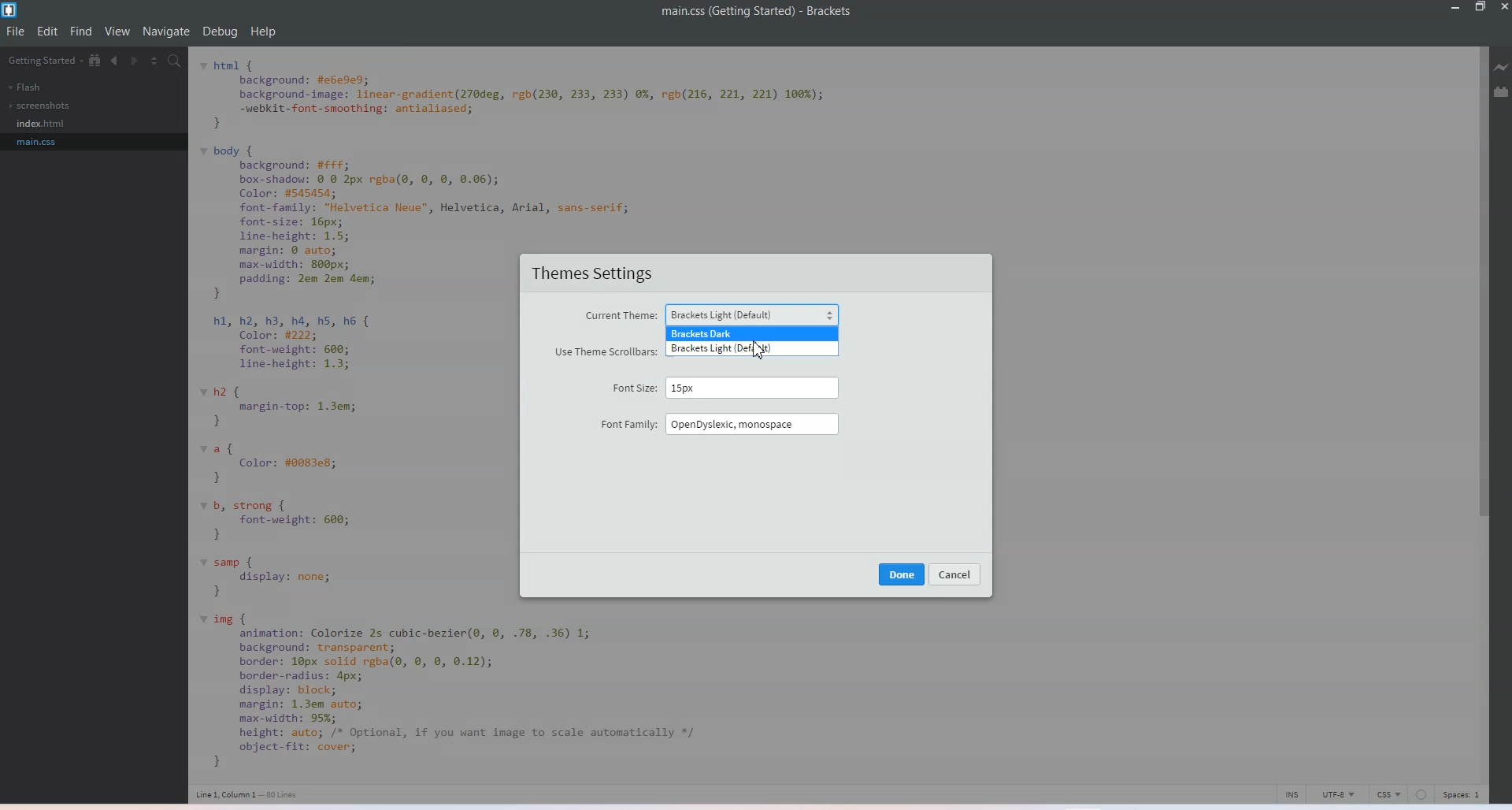 This screenshot has height=810, width=1512. What do you see at coordinates (117, 61) in the screenshot?
I see `Navigate Backwards` at bounding box center [117, 61].